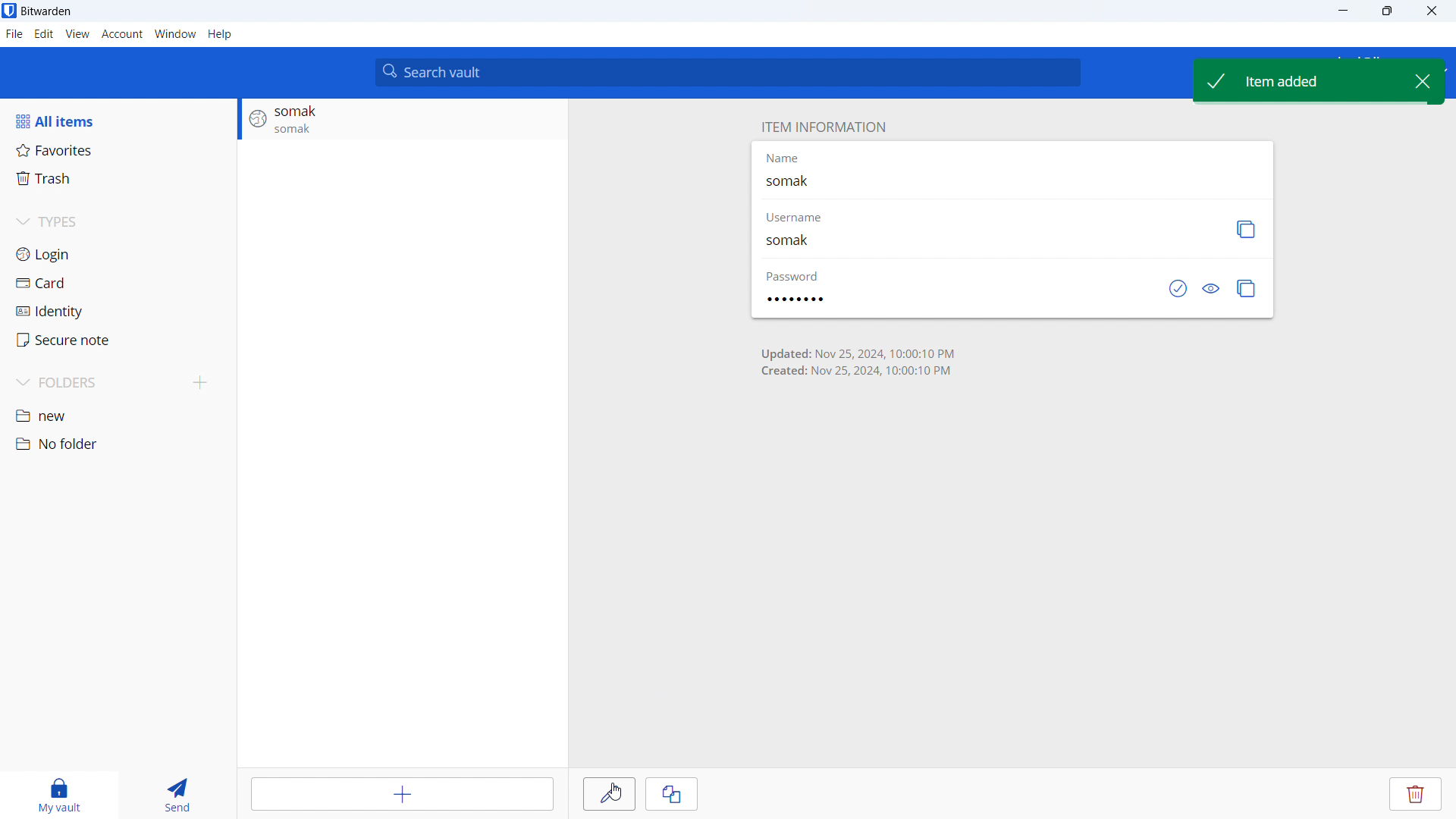 The height and width of the screenshot is (819, 1456). Describe the element at coordinates (220, 34) in the screenshot. I see `help` at that location.